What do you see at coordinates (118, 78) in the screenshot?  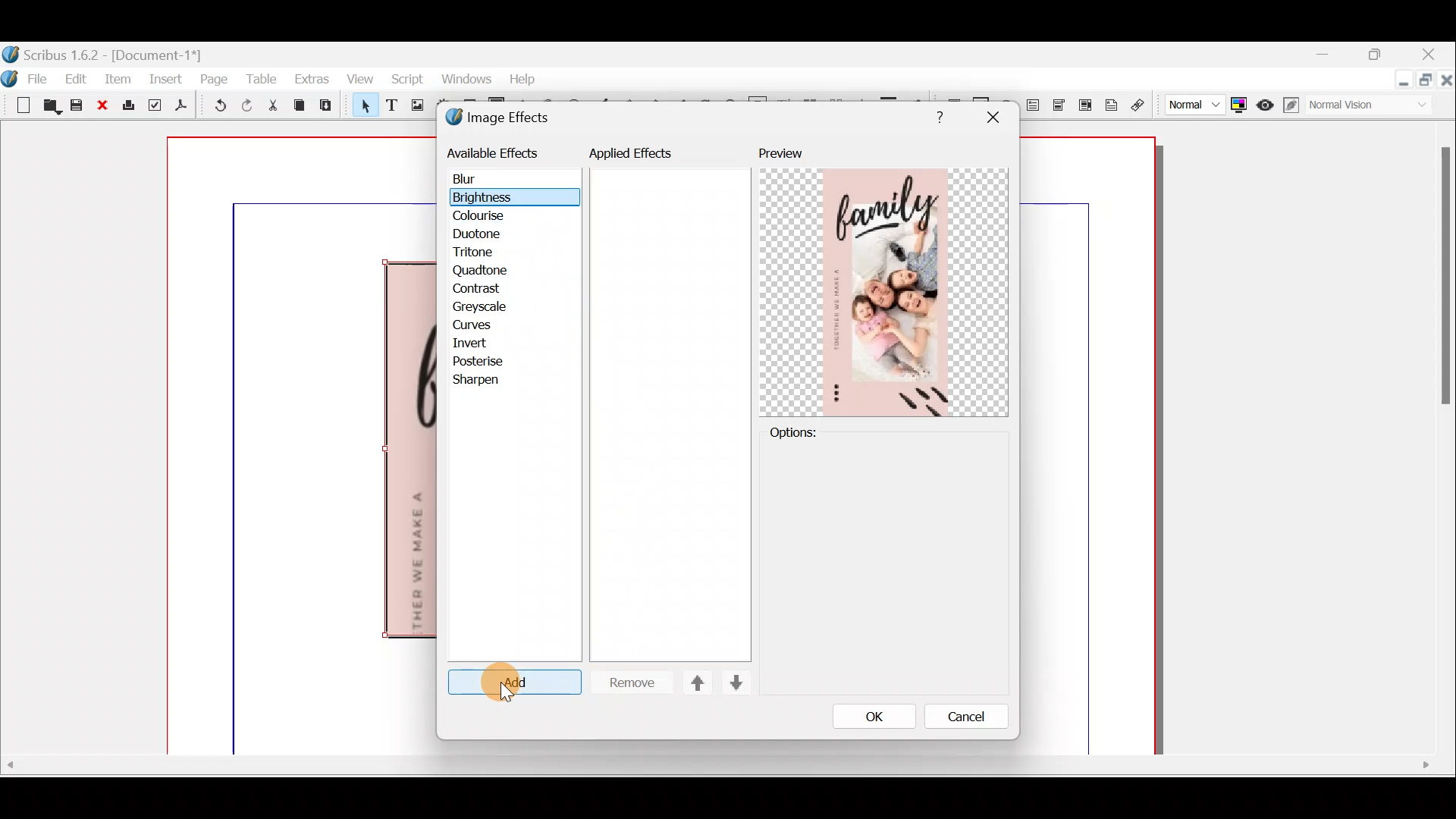 I see `Item` at bounding box center [118, 78].